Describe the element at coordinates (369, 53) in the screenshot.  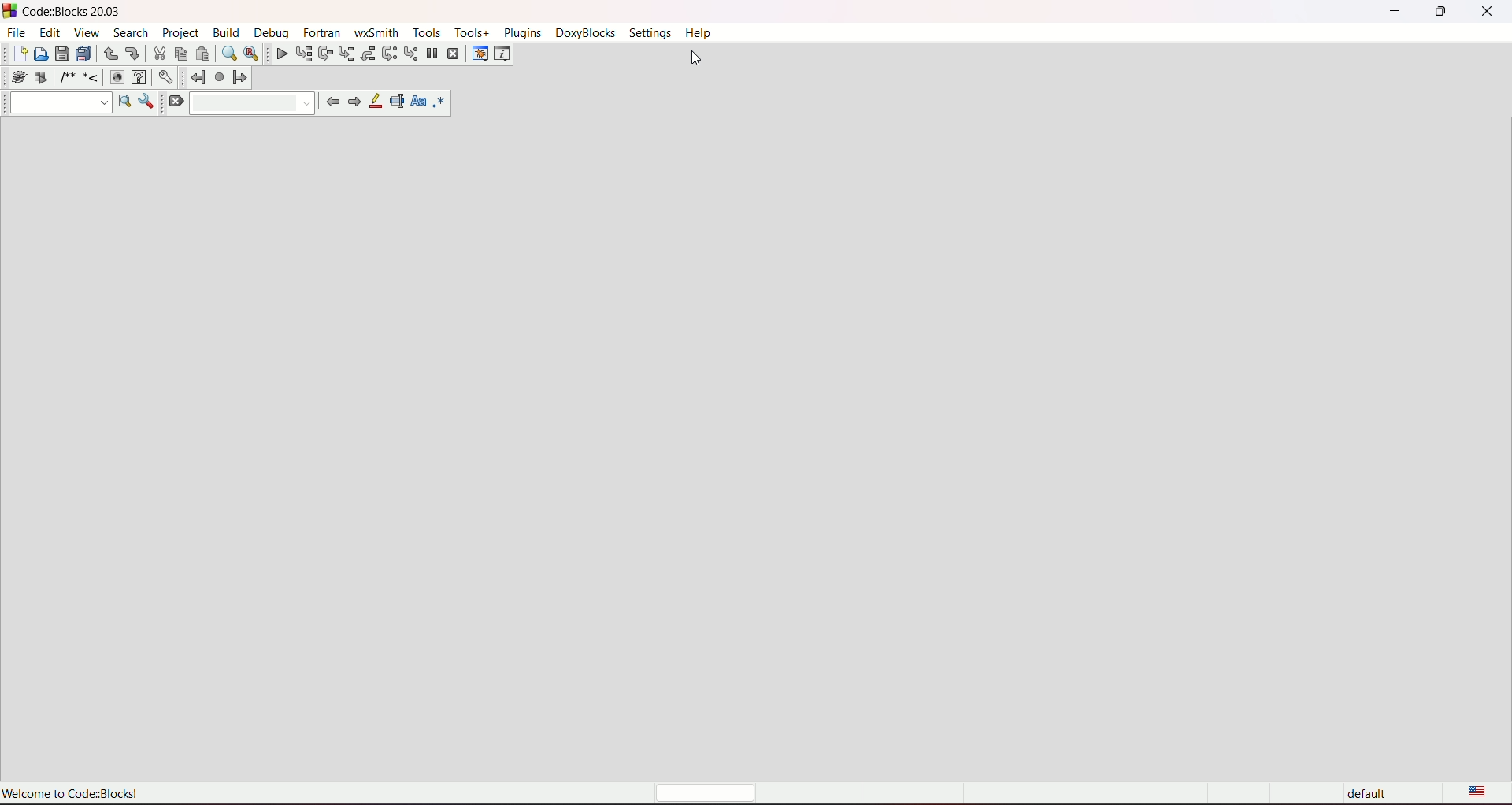
I see `step out` at that location.